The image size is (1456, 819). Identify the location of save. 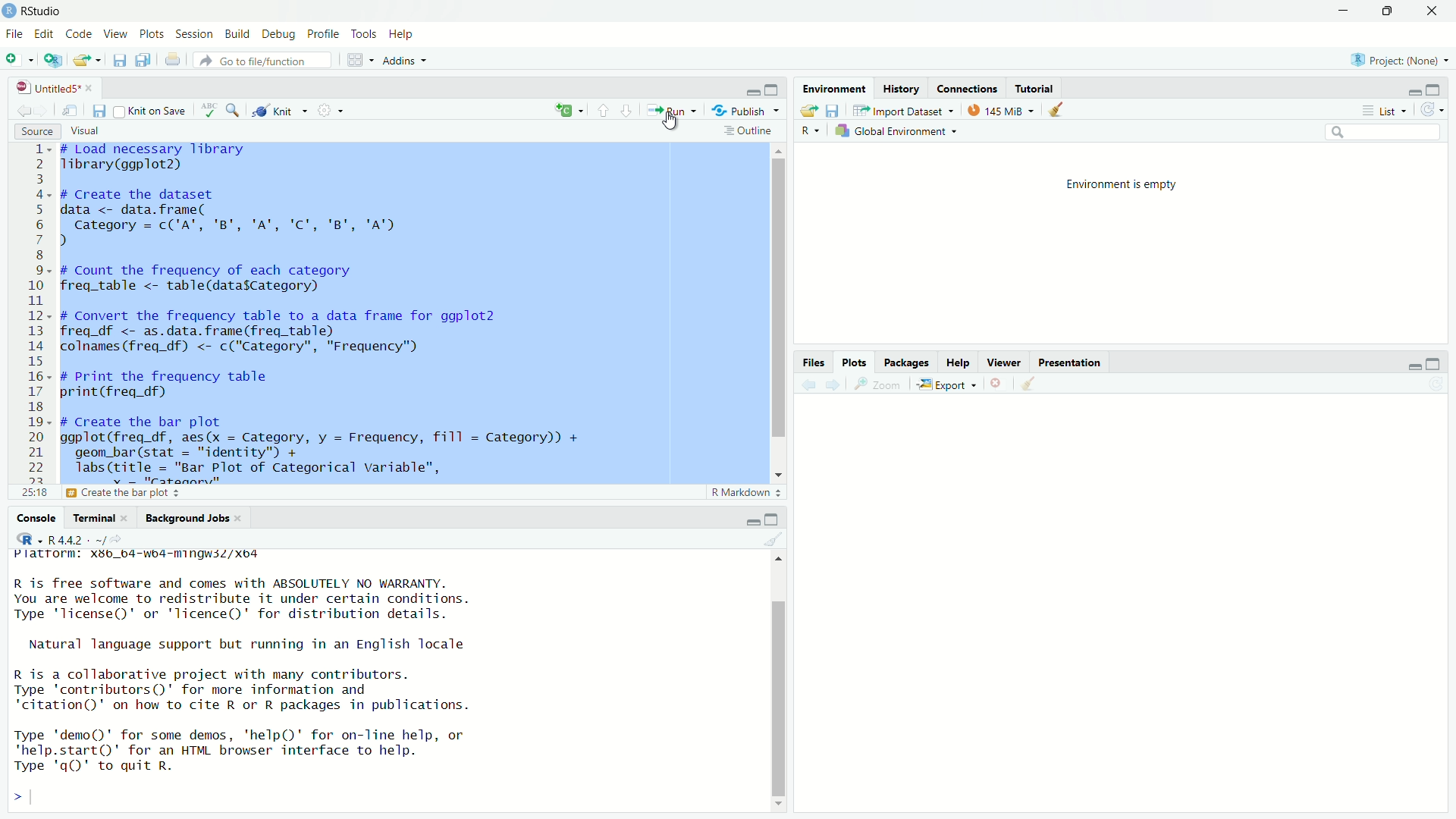
(101, 111).